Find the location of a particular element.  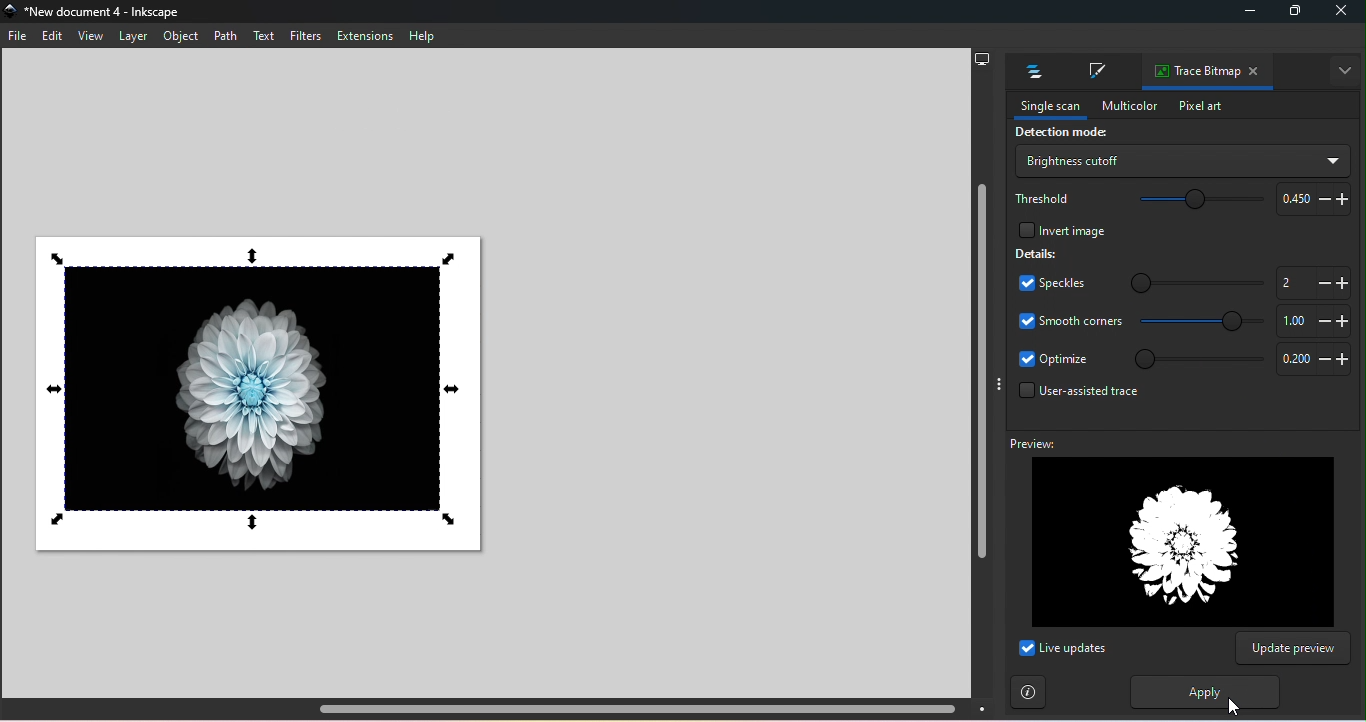

Preview is located at coordinates (1167, 531).